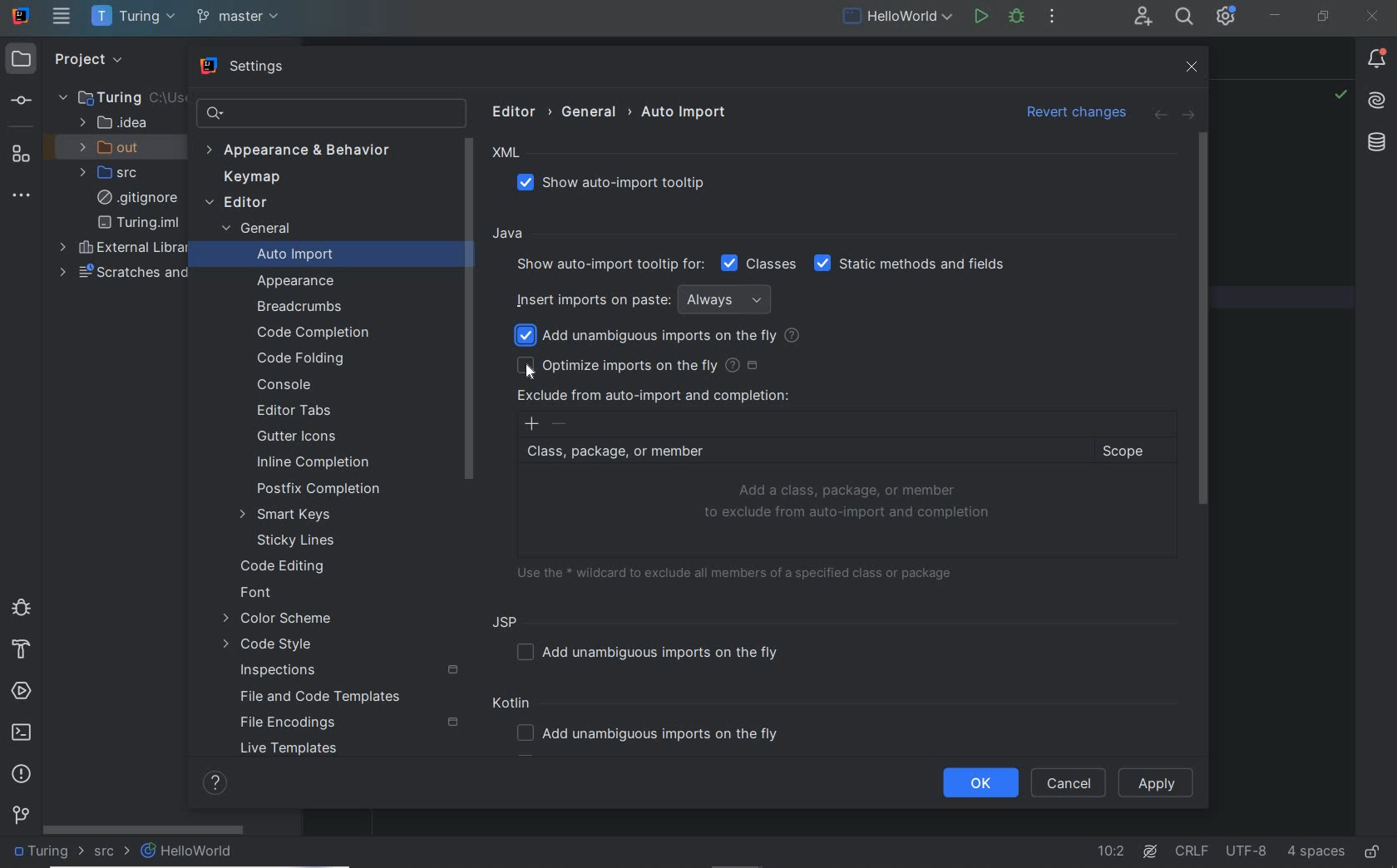 The width and height of the screenshot is (1397, 868). What do you see at coordinates (292, 515) in the screenshot?
I see `SMART KEYS` at bounding box center [292, 515].